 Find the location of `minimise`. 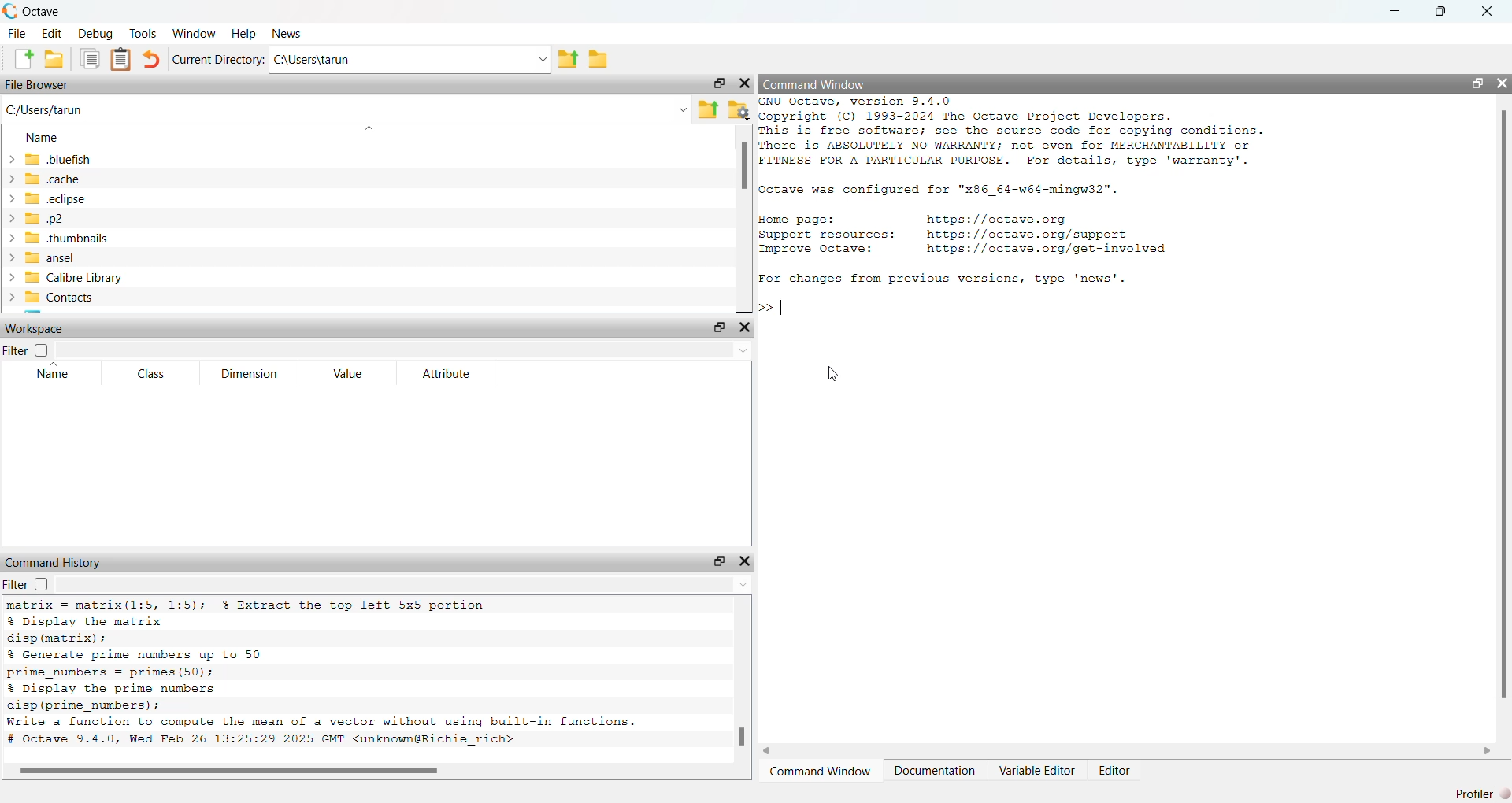

minimise is located at coordinates (1395, 9).